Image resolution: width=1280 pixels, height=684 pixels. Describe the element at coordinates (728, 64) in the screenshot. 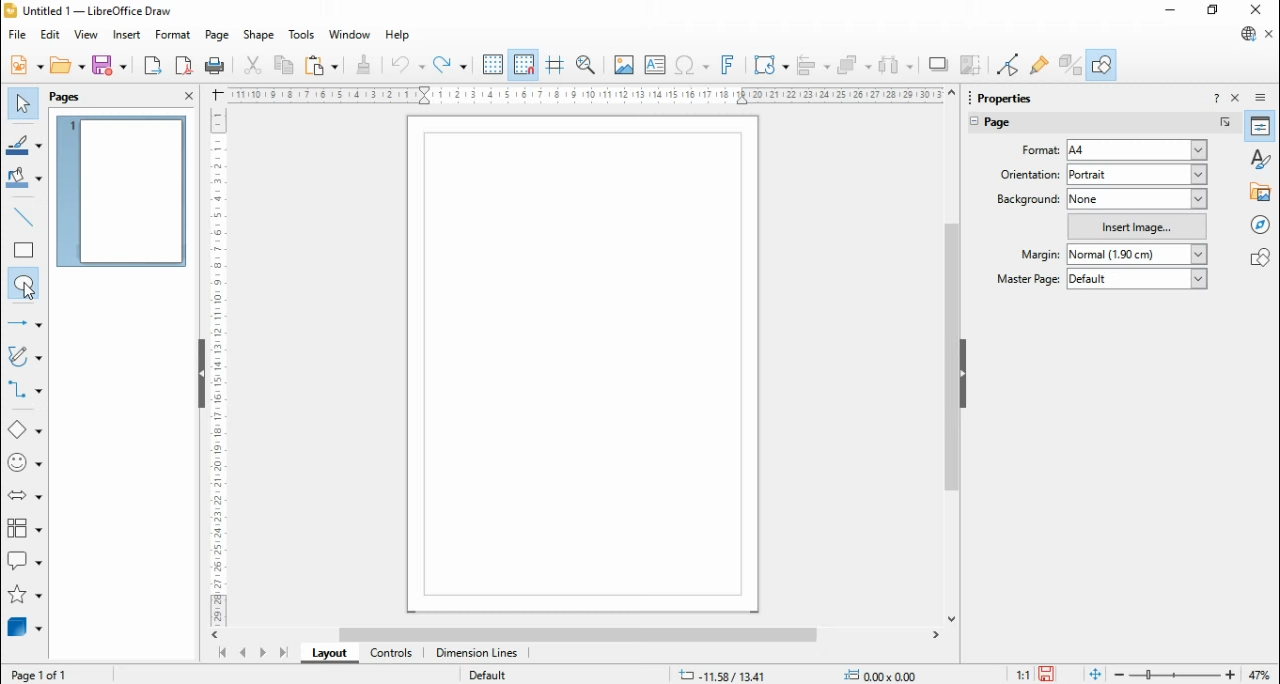

I see `insert fontwork text` at that location.